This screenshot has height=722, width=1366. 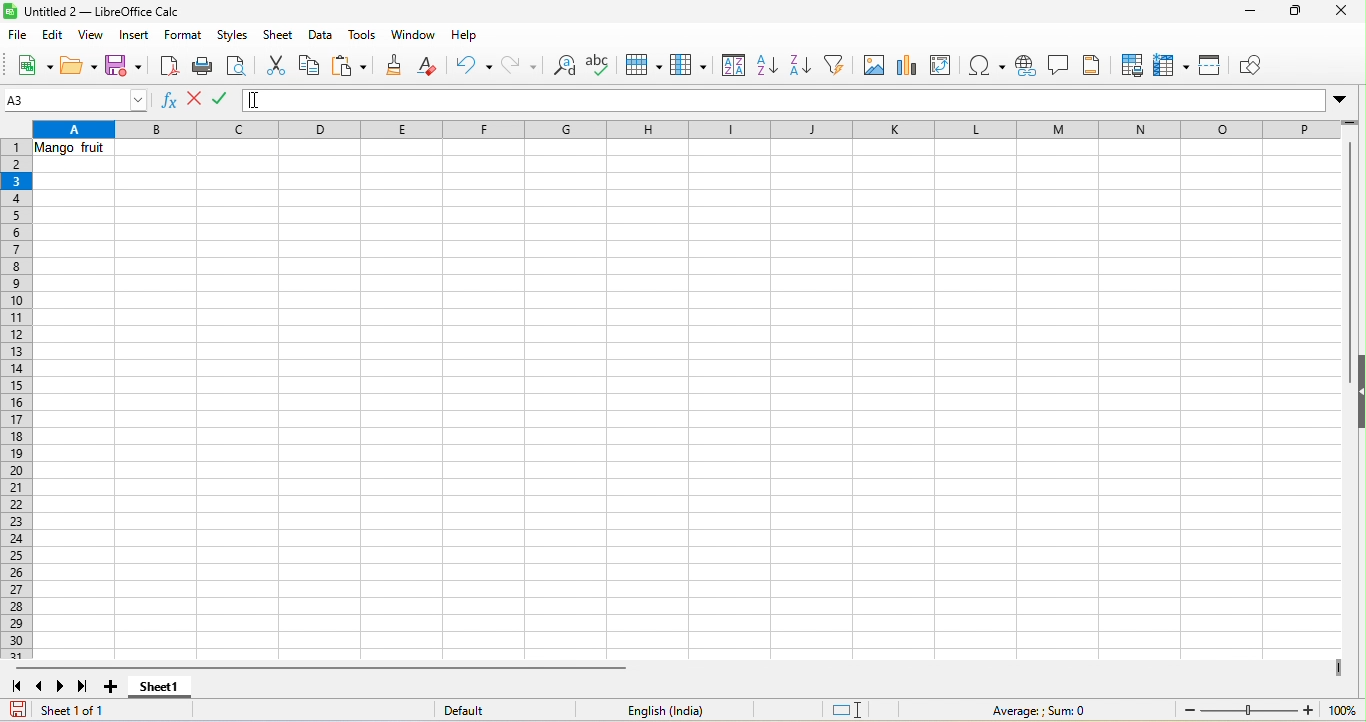 What do you see at coordinates (520, 65) in the screenshot?
I see `redo` at bounding box center [520, 65].